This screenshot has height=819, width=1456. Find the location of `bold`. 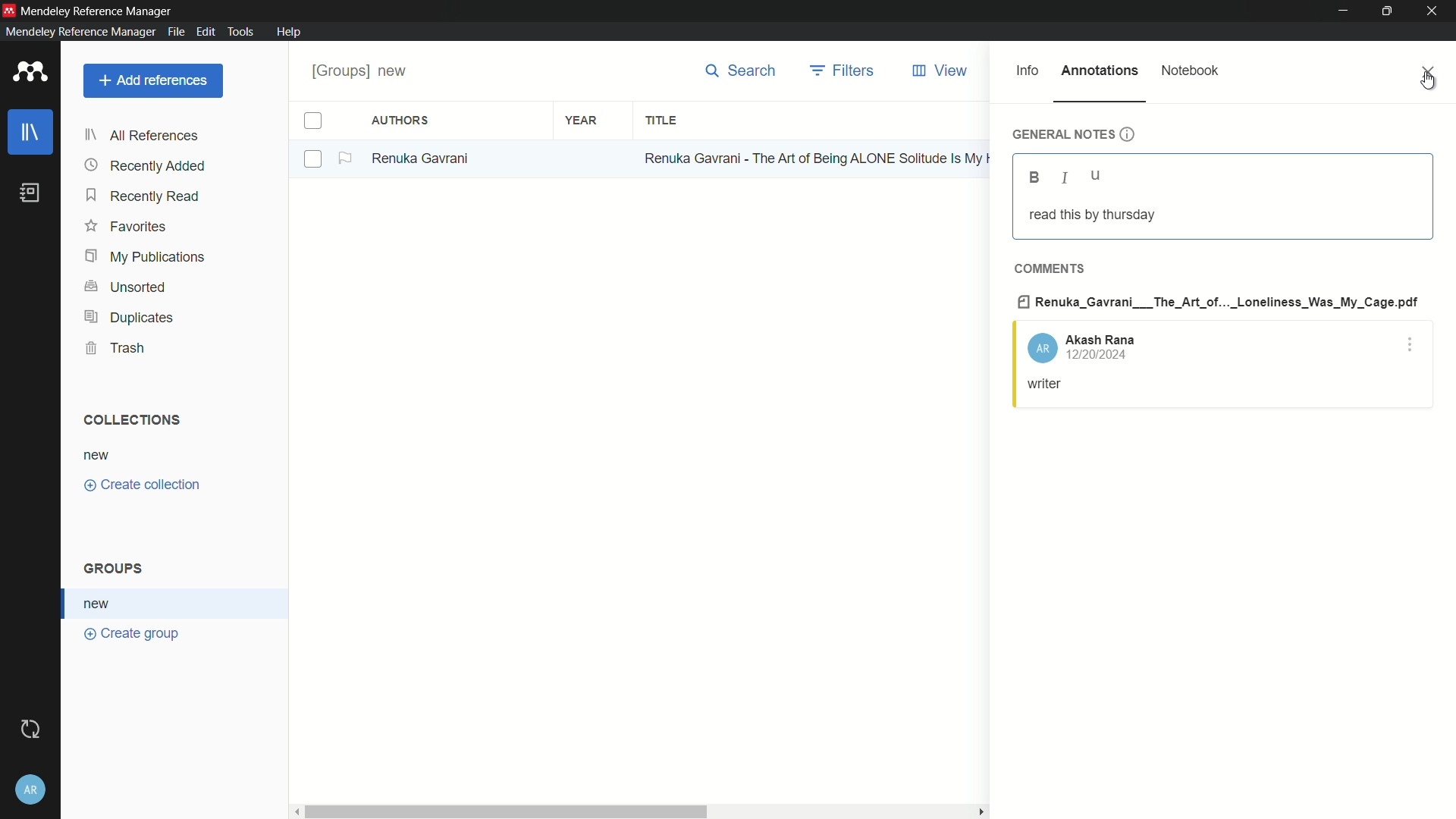

bold is located at coordinates (1034, 177).